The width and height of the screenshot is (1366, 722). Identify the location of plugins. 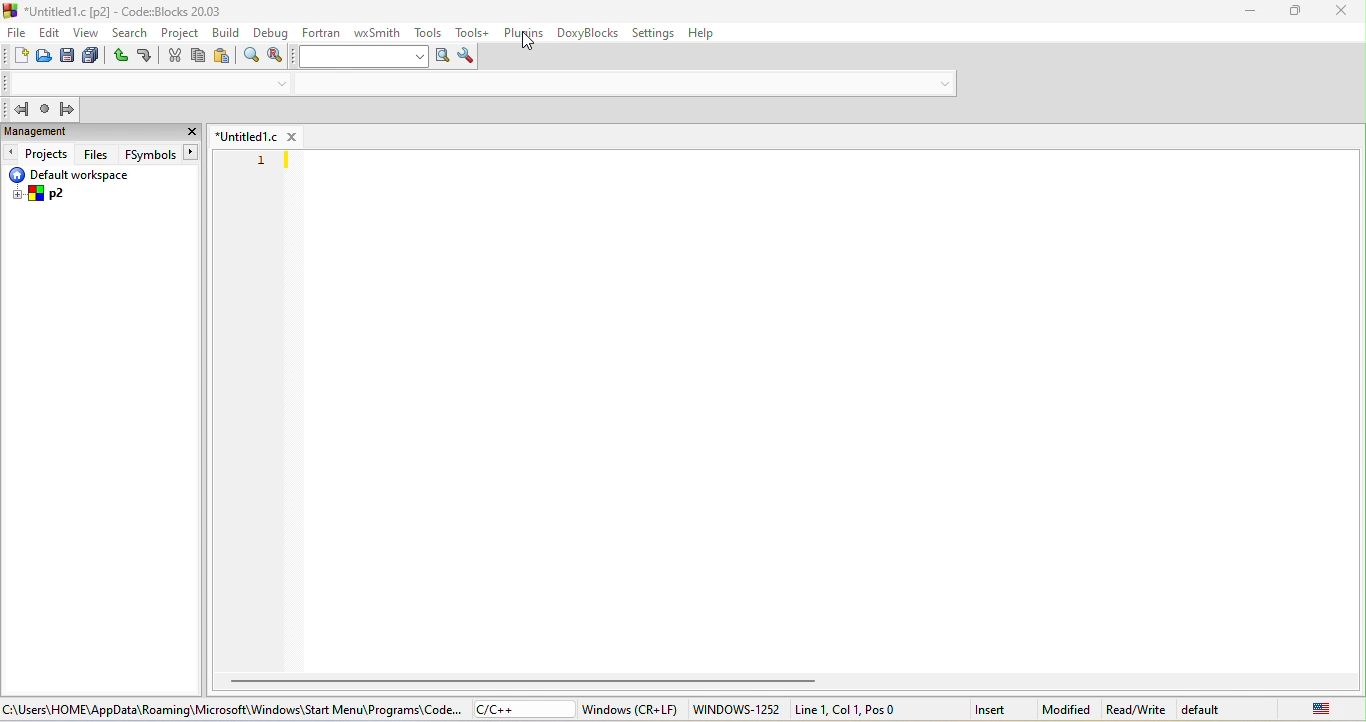
(522, 34).